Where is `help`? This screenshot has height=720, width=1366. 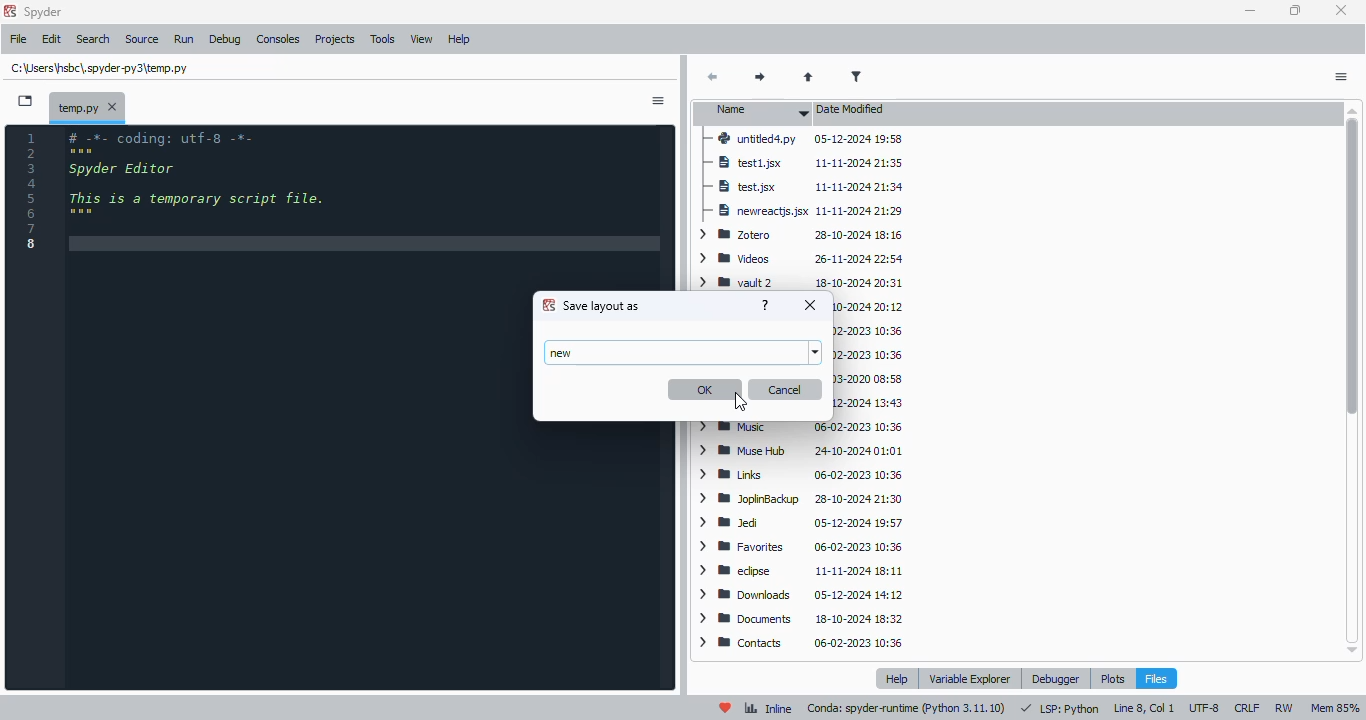
help is located at coordinates (461, 39).